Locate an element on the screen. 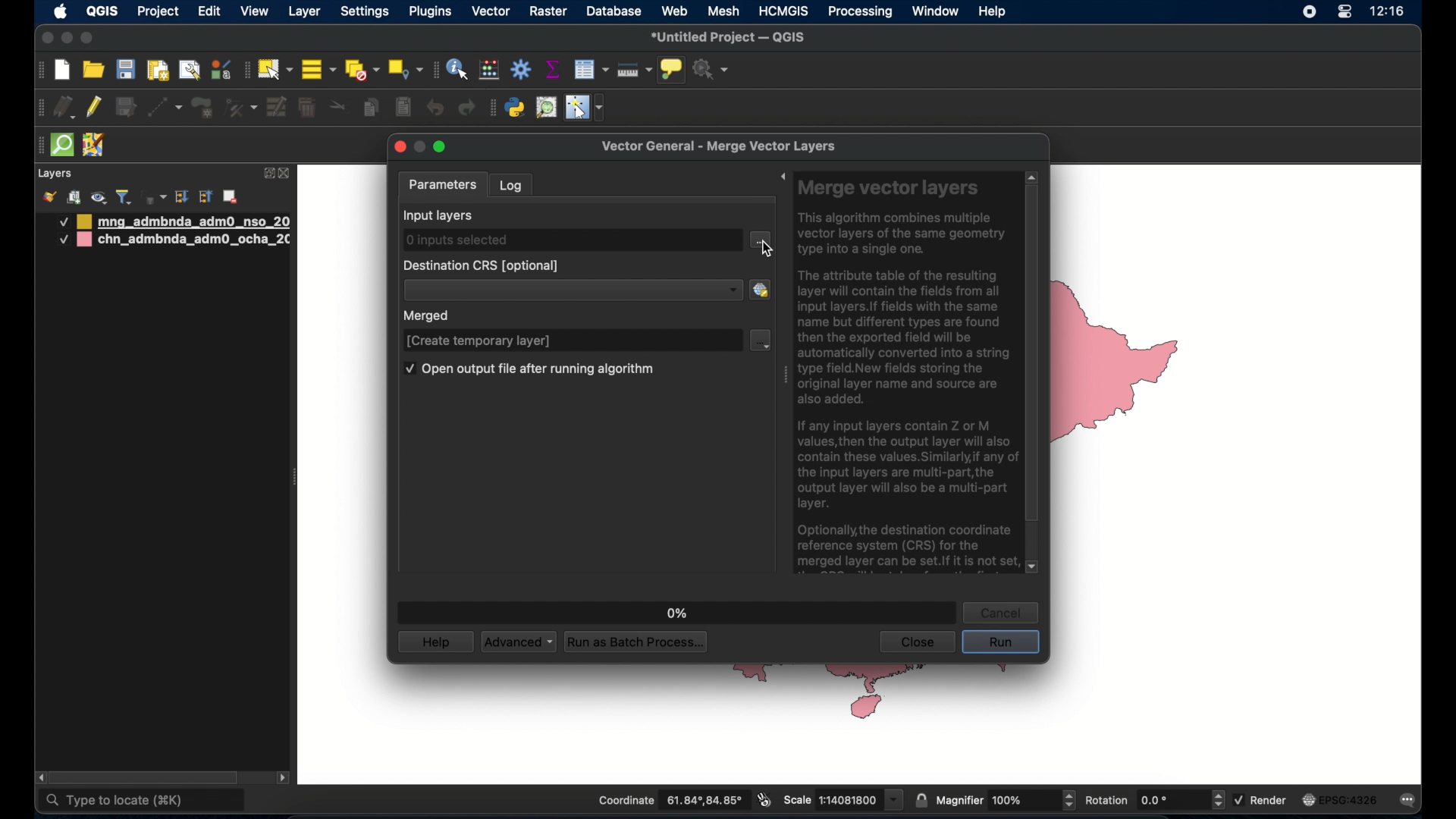 Image resolution: width=1456 pixels, height=819 pixels. Merge vector layers

This algorithm combines multiple
vector layers of the same geometry
type into a single one.

The attribute table of the resulting
layer will contain the fields from all
input layers. If fields with the same
name but different types are found
then the exported field will be
automatically converted into a string
type field.New fields storing the
original layer name and source are
also added.

If any input layers contain Z or M
values, then the output layer will also
contain these values. Similarly,if any of
the input layers are multi-part,the
output layer will also be a multi-part
layer.

Optionally, the destination coordinate
reference system (CRS) for the
merged layer can be set.If it is not set is located at coordinates (905, 375).